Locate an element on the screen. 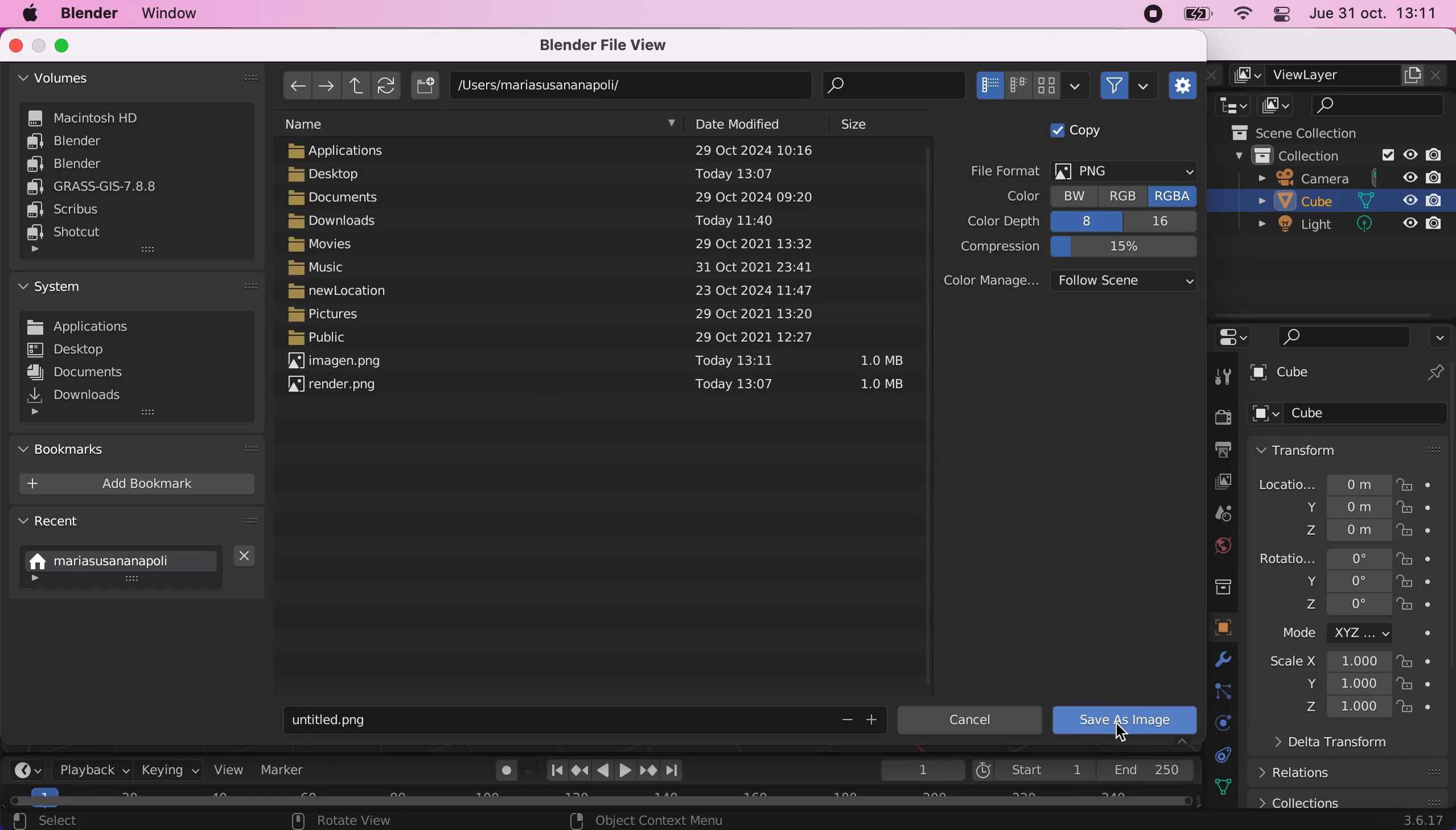 This screenshot has height=830, width=1456. lock is located at coordinates (1417, 685).